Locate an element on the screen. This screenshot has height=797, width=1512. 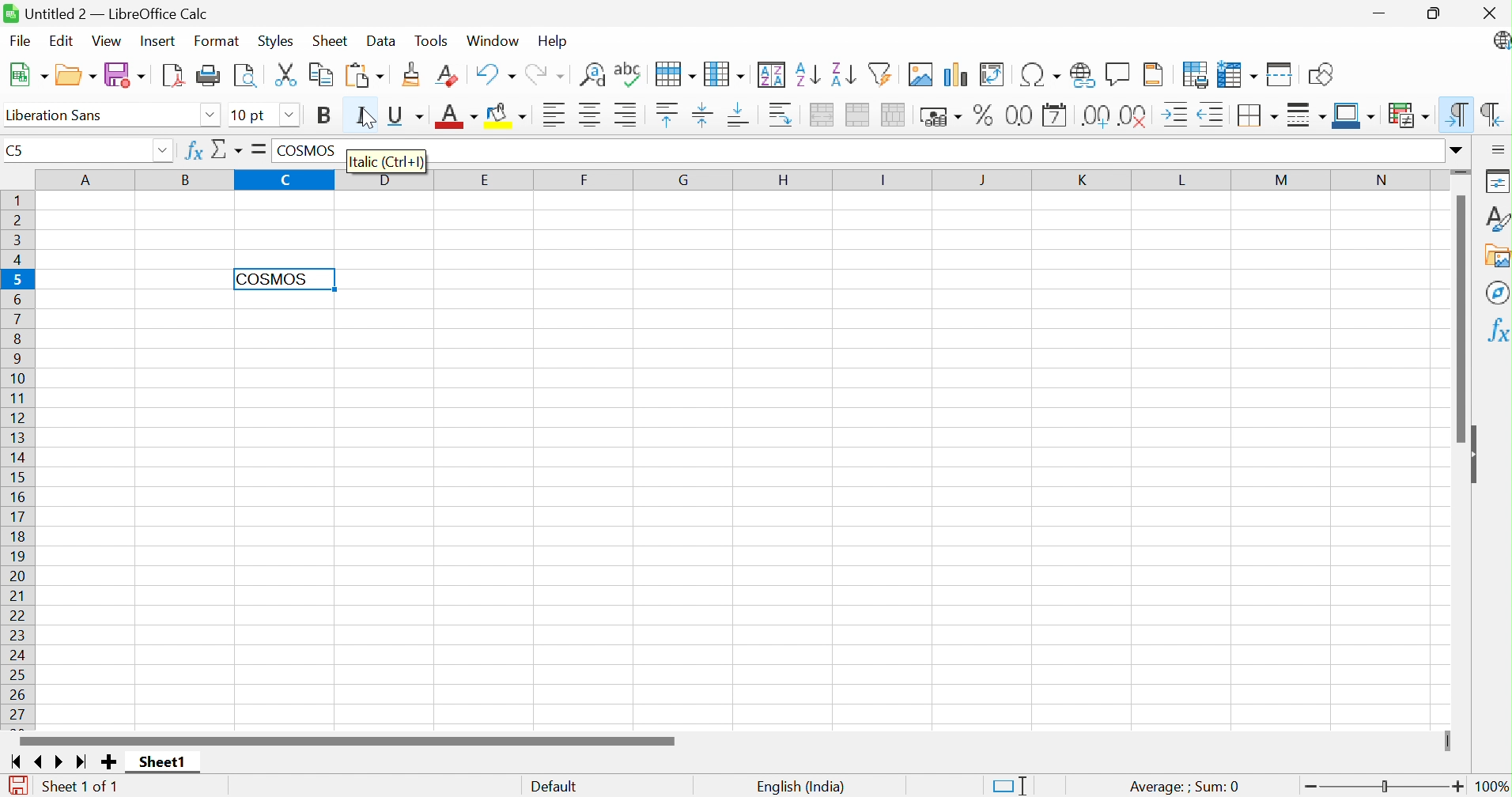
Sidebar settings is located at coordinates (1498, 149).